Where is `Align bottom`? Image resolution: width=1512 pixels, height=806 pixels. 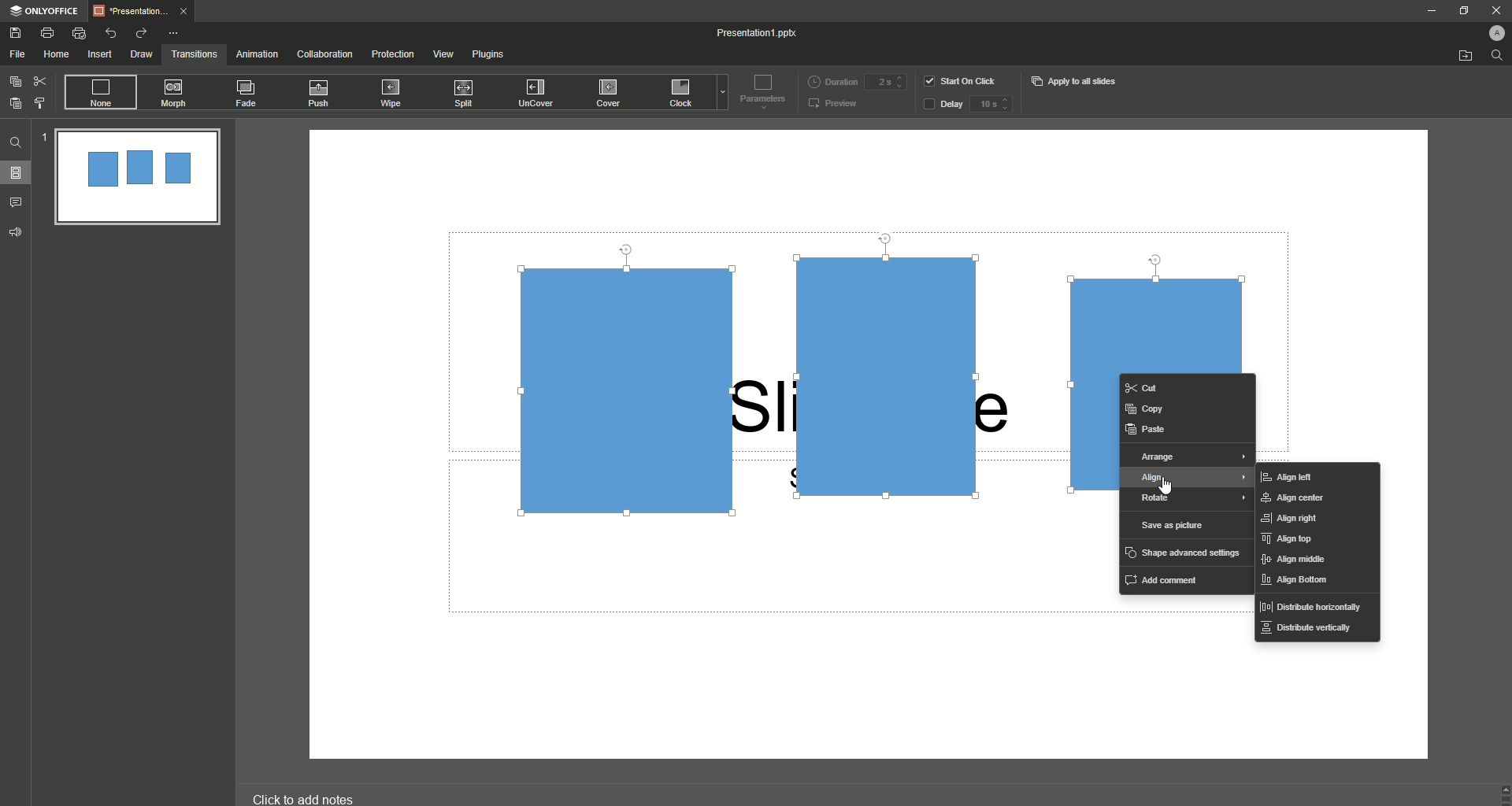
Align bottom is located at coordinates (1298, 582).